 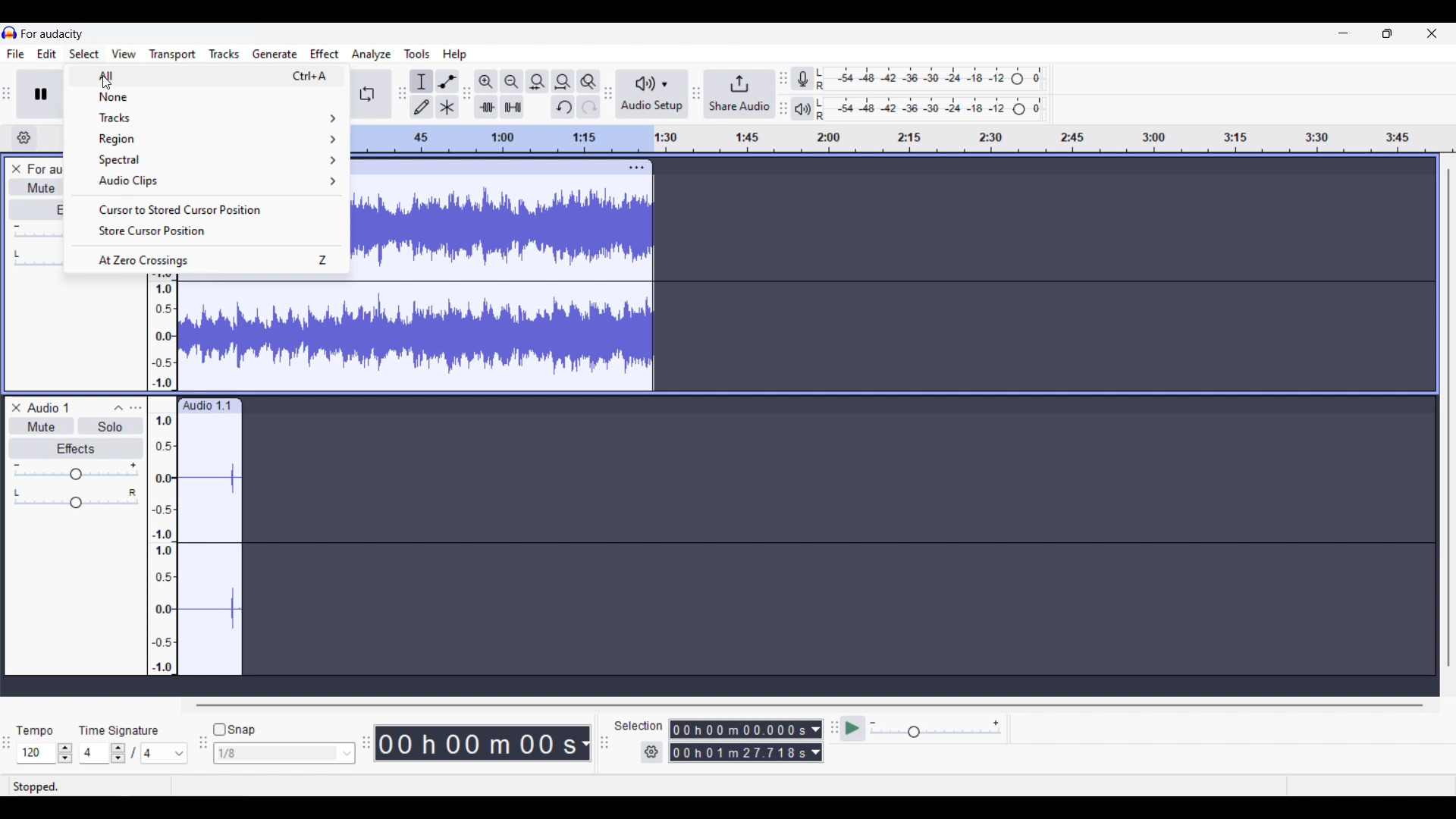 What do you see at coordinates (933, 110) in the screenshot?
I see `Playback level` at bounding box center [933, 110].